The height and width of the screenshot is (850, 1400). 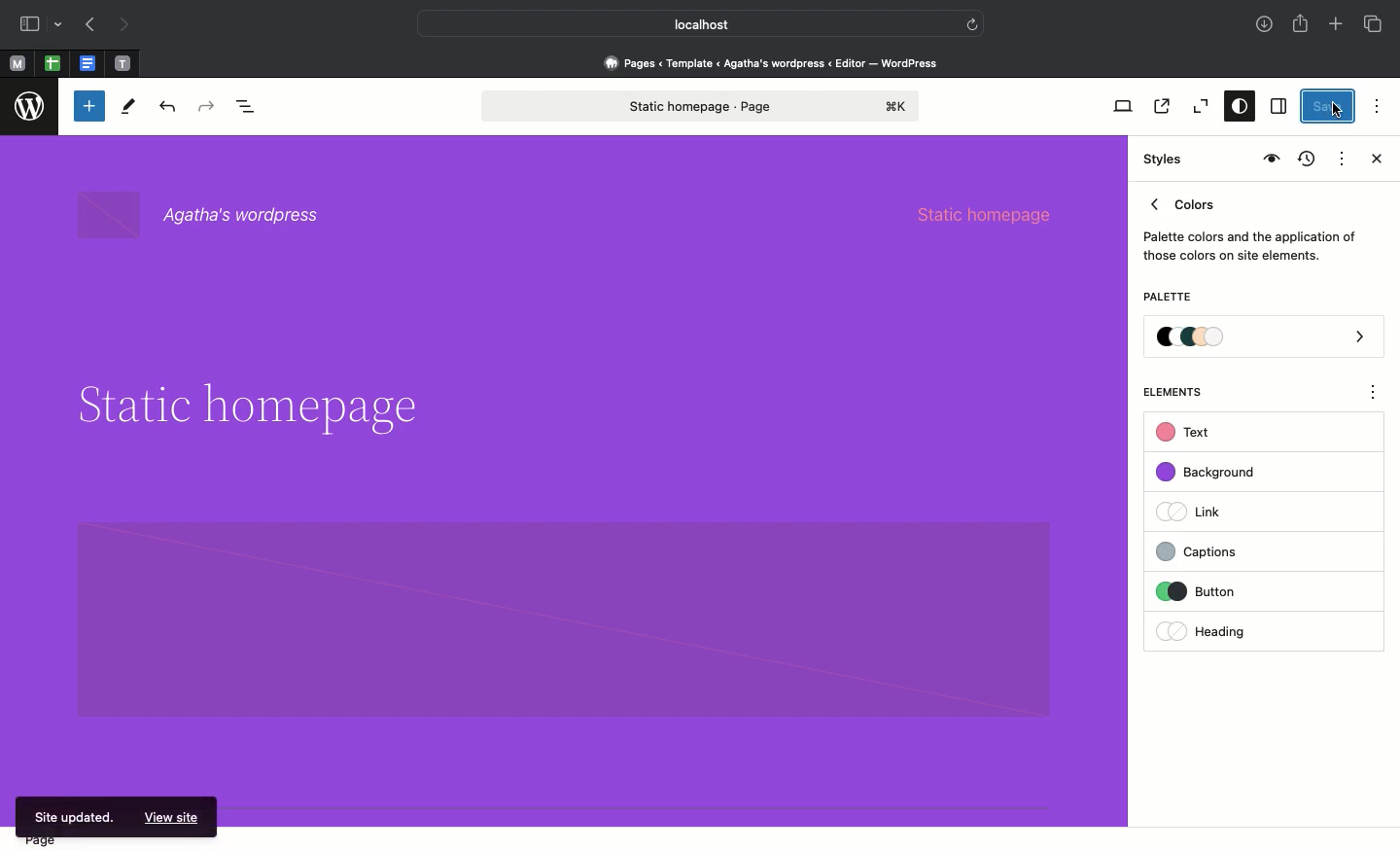 I want to click on Undo, so click(x=167, y=108).